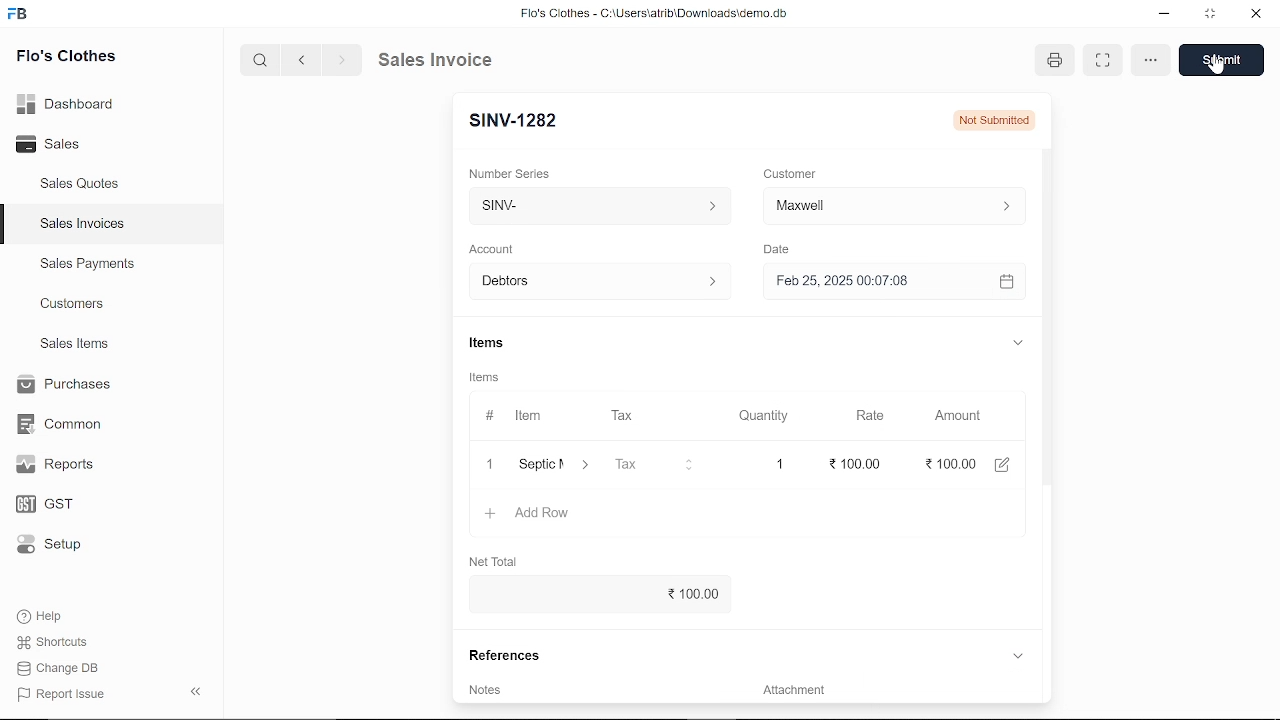 This screenshot has width=1280, height=720. Describe the element at coordinates (596, 281) in the screenshot. I see `Debtors` at that location.